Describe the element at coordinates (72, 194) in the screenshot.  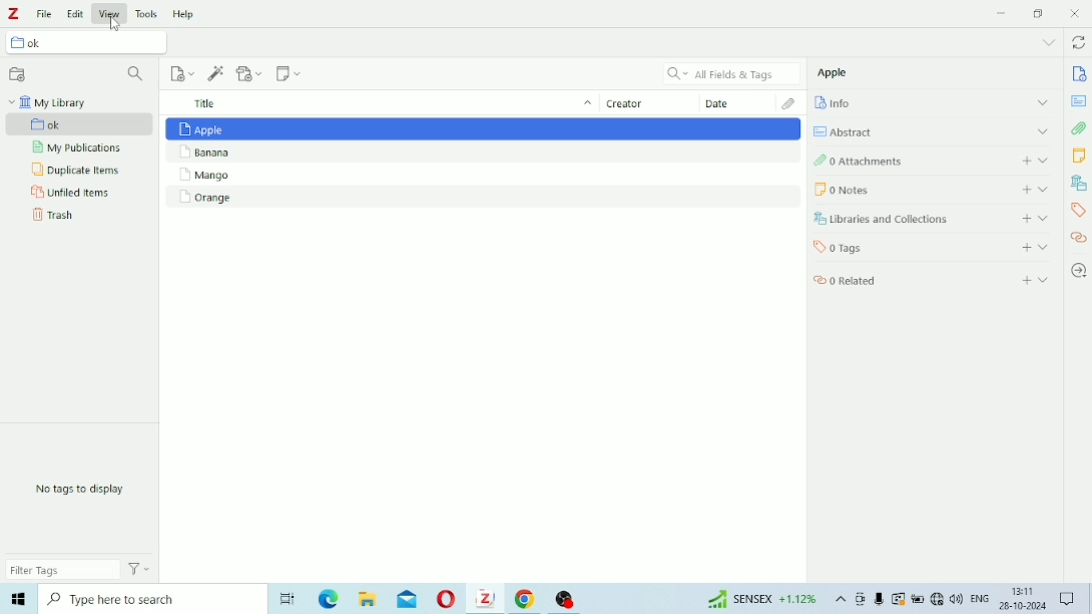
I see `Unfiled items.` at that location.